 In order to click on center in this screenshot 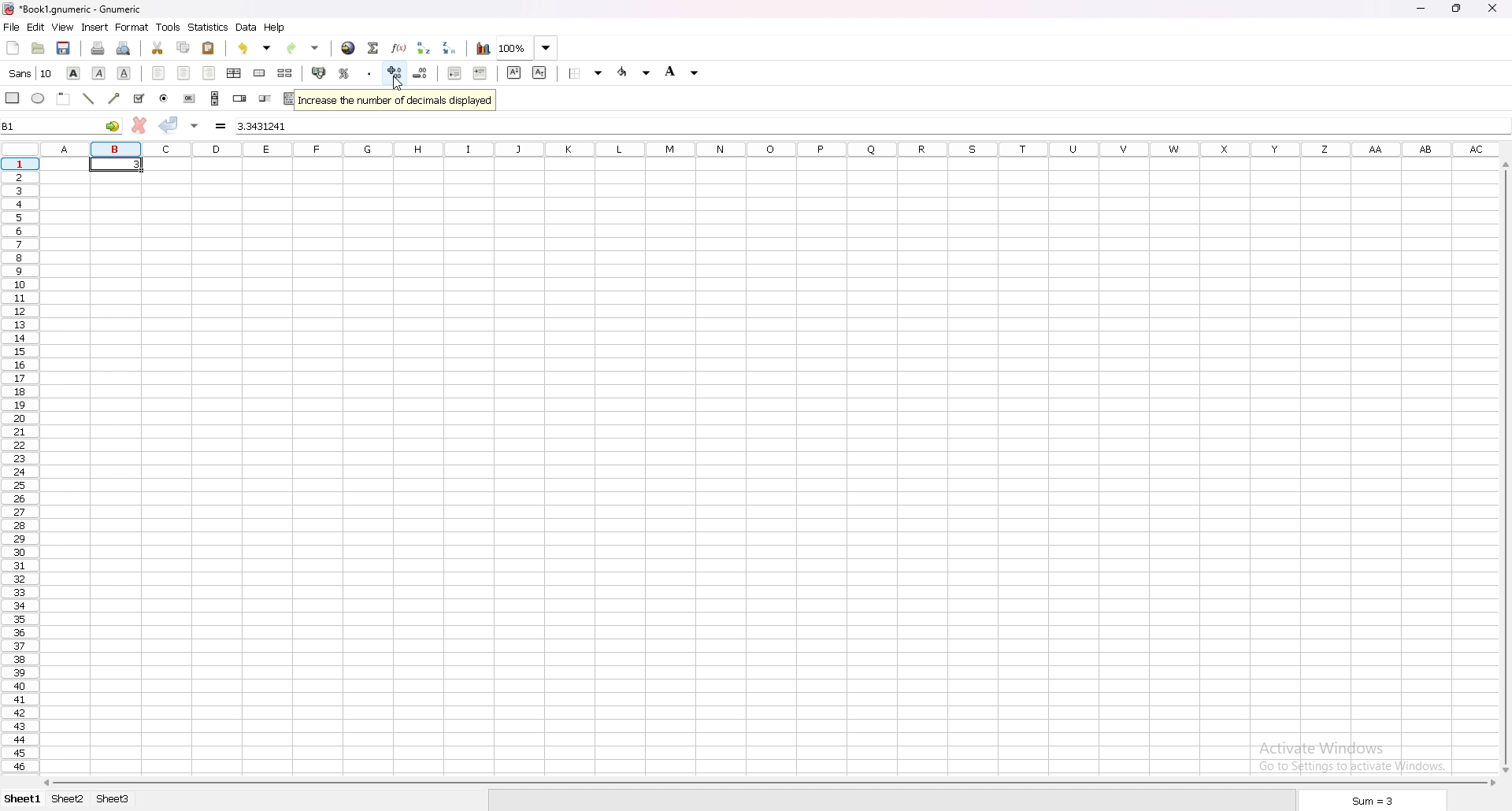, I will do `click(184, 72)`.